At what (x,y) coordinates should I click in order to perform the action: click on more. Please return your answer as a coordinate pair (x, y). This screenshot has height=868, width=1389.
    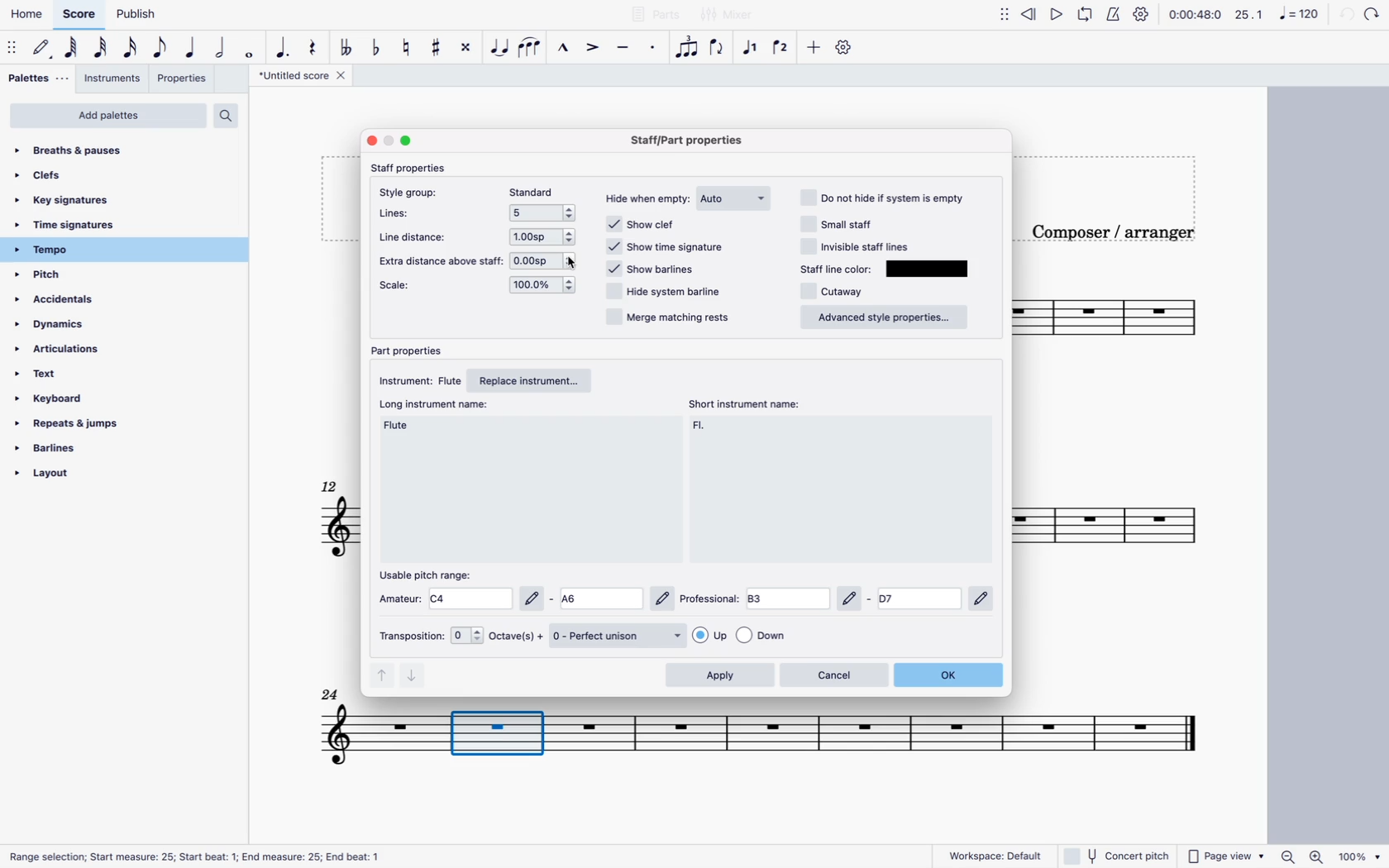
    Looking at the image, I should click on (815, 48).